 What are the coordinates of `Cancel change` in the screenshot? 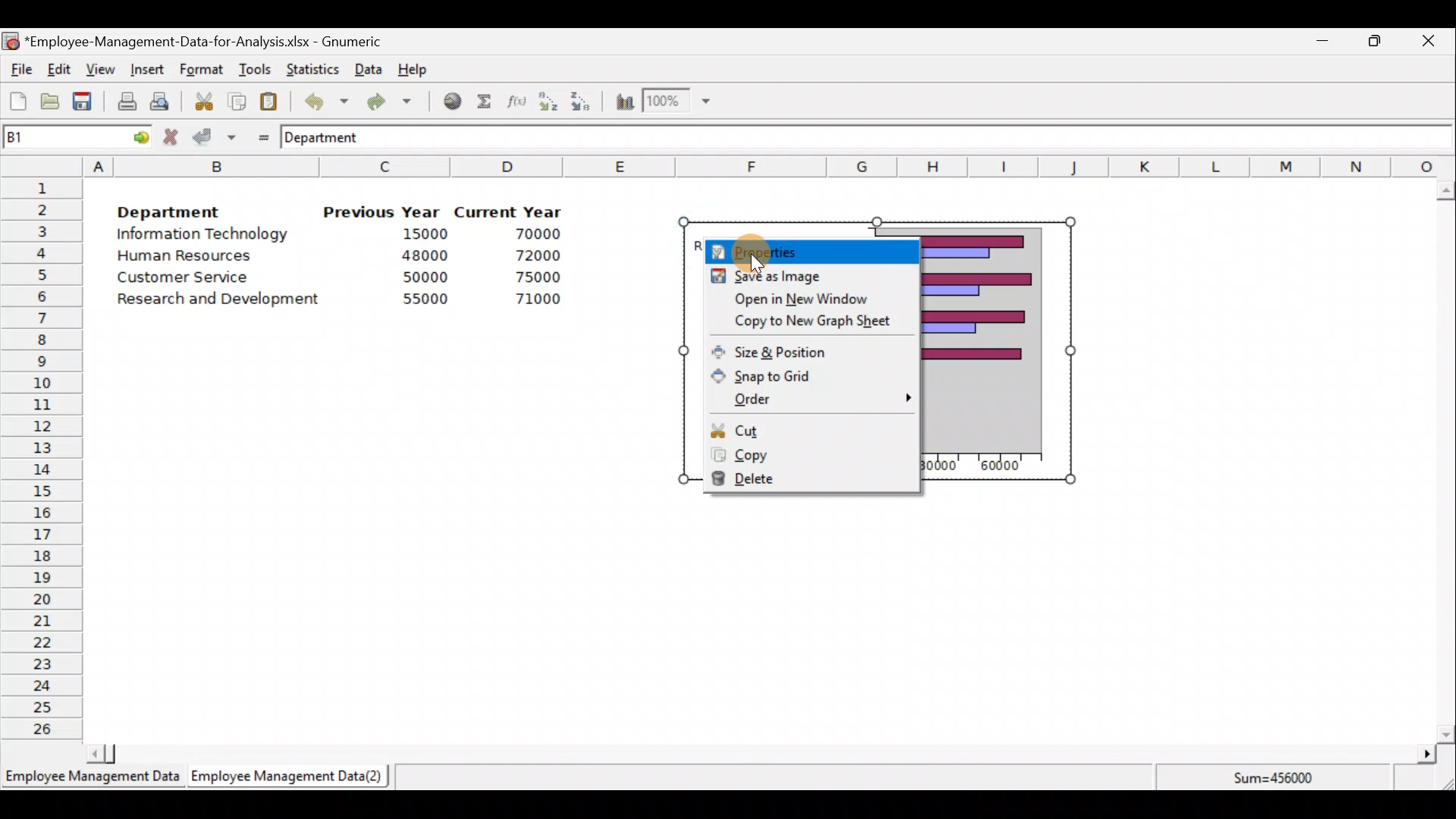 It's located at (173, 136).